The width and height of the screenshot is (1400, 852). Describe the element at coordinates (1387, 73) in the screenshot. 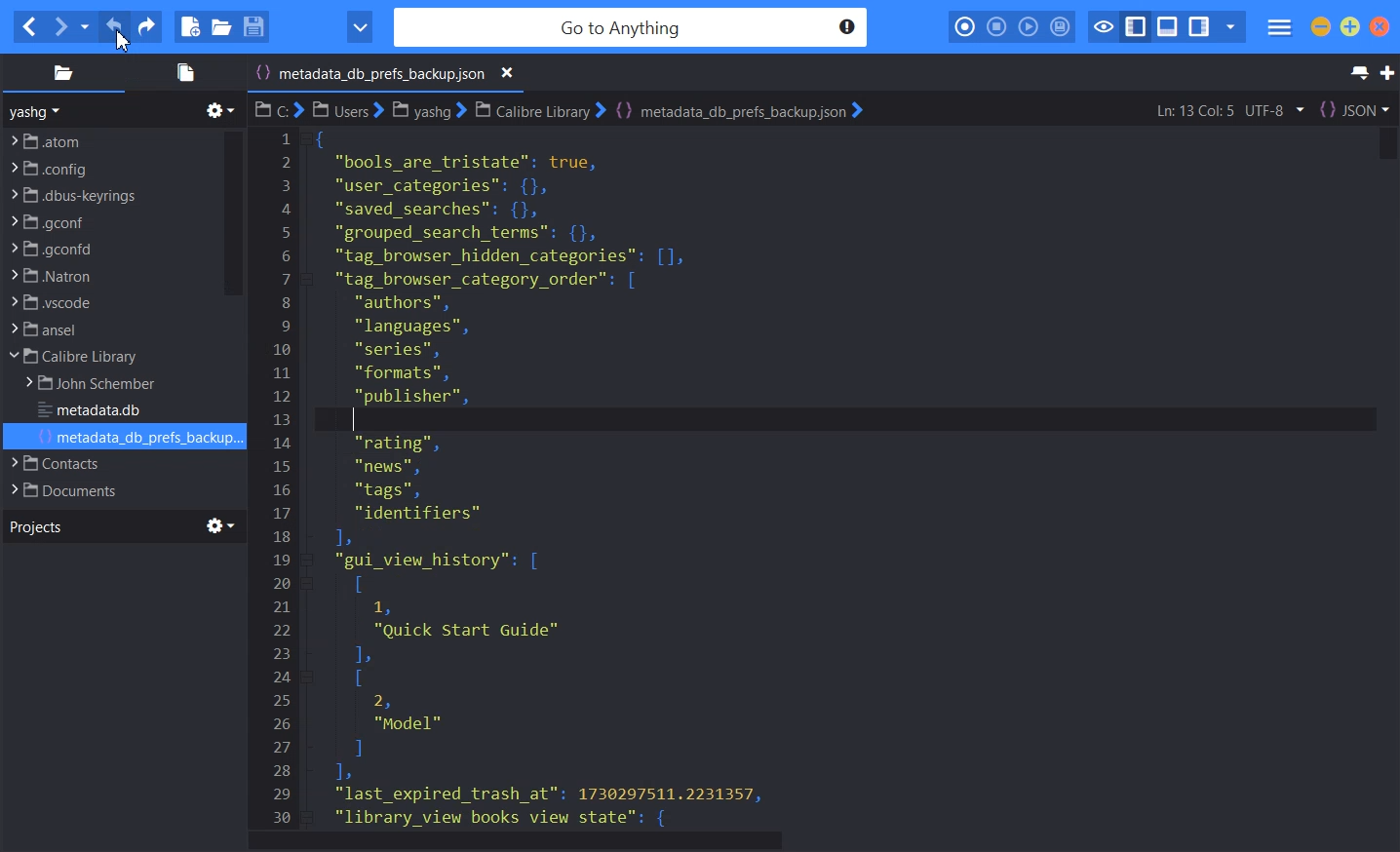

I see `New Tab` at that location.